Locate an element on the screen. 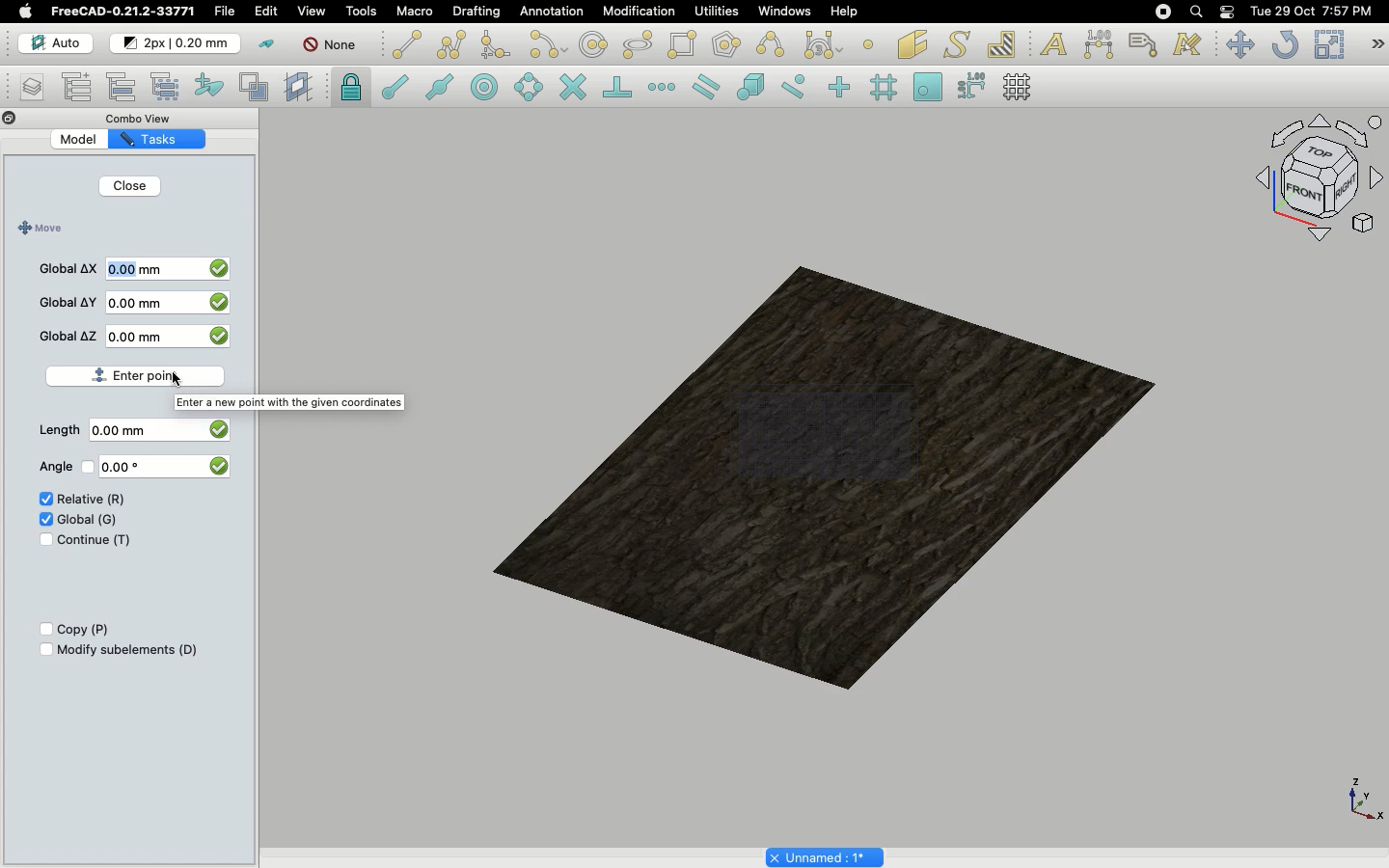 This screenshot has width=1389, height=868. Circle is located at coordinates (594, 47).